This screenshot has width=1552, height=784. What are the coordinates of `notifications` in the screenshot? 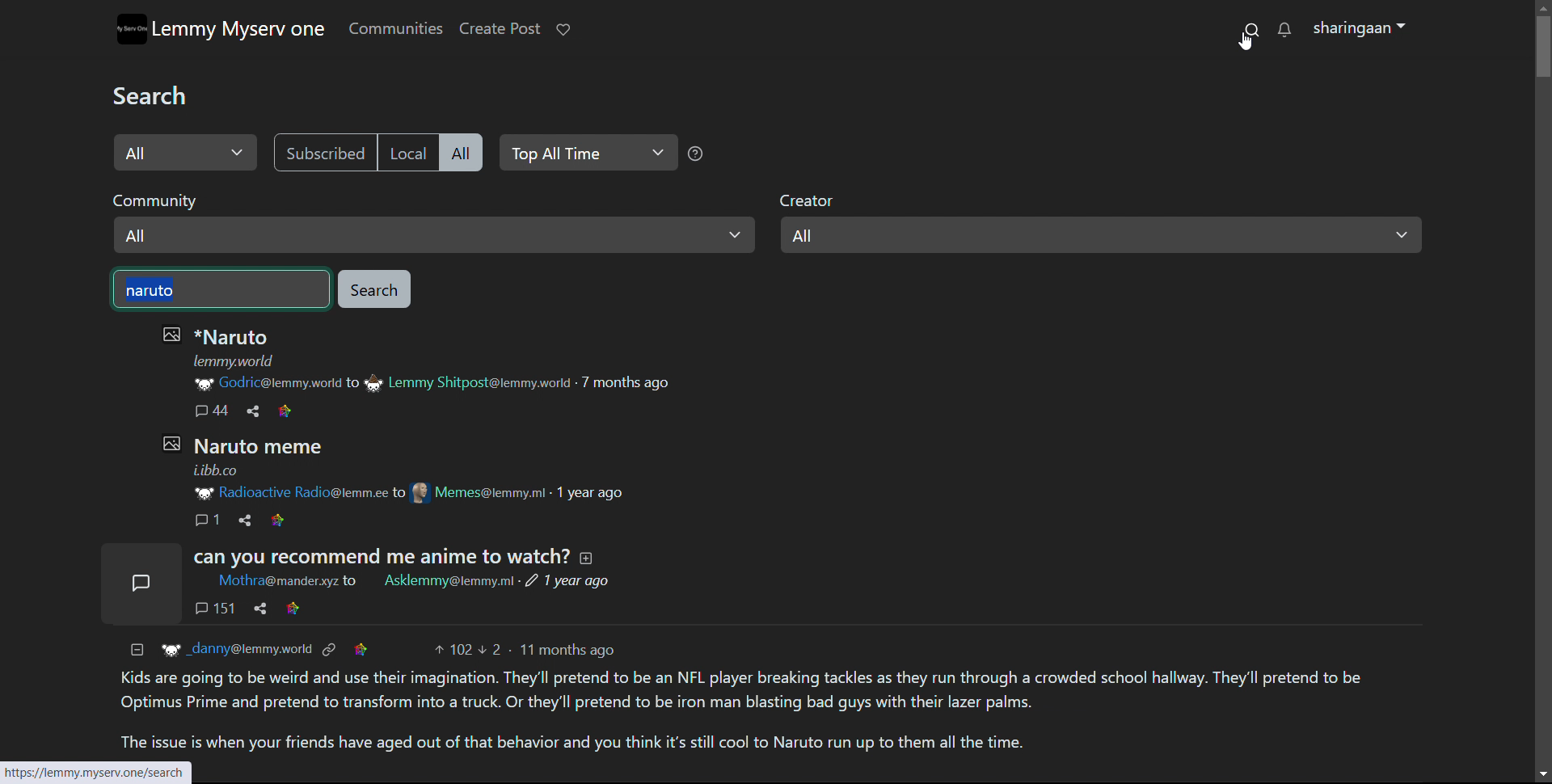 It's located at (1285, 29).